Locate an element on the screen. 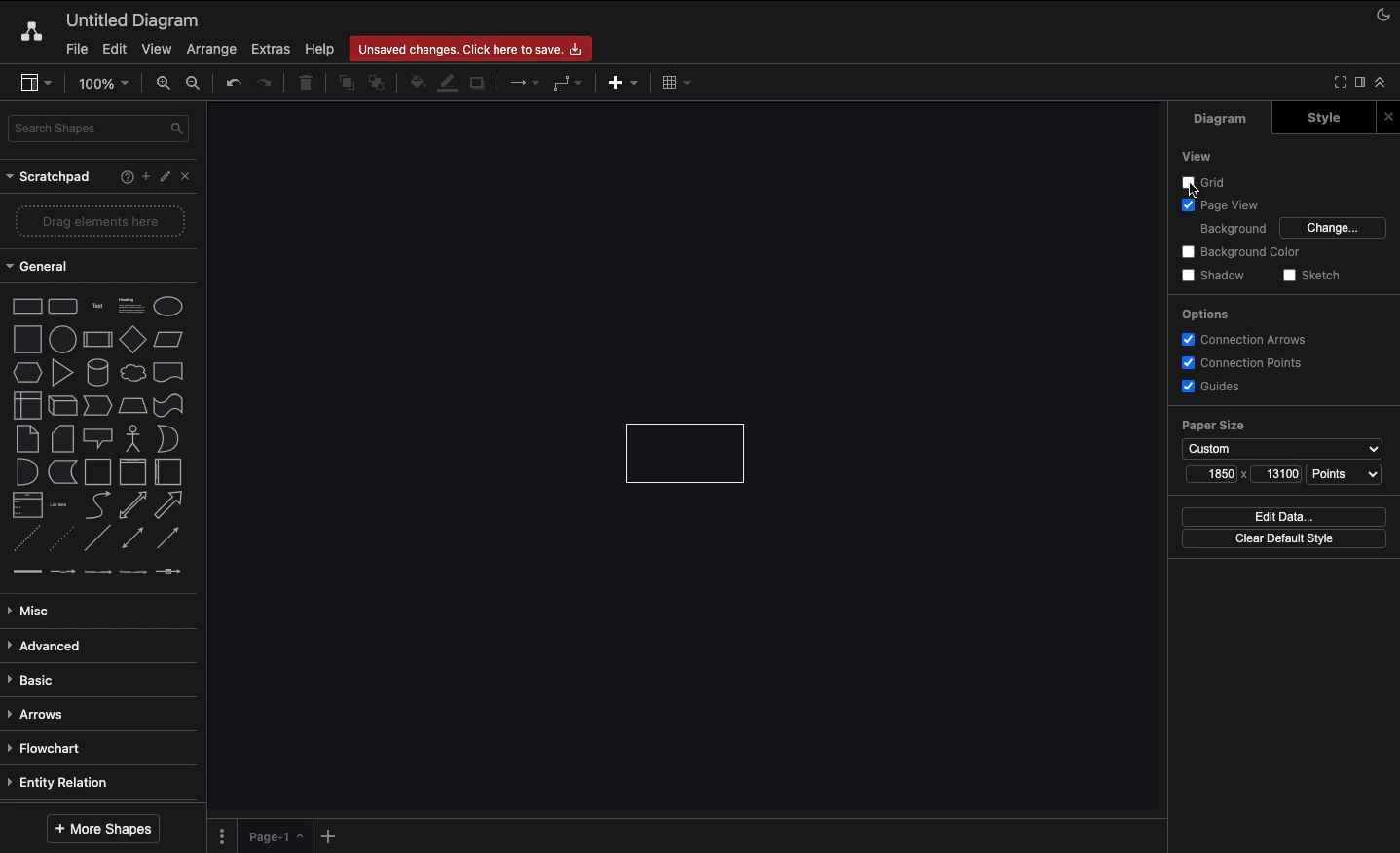  Snapping to grid and guidelines disabled is located at coordinates (1205, 184).